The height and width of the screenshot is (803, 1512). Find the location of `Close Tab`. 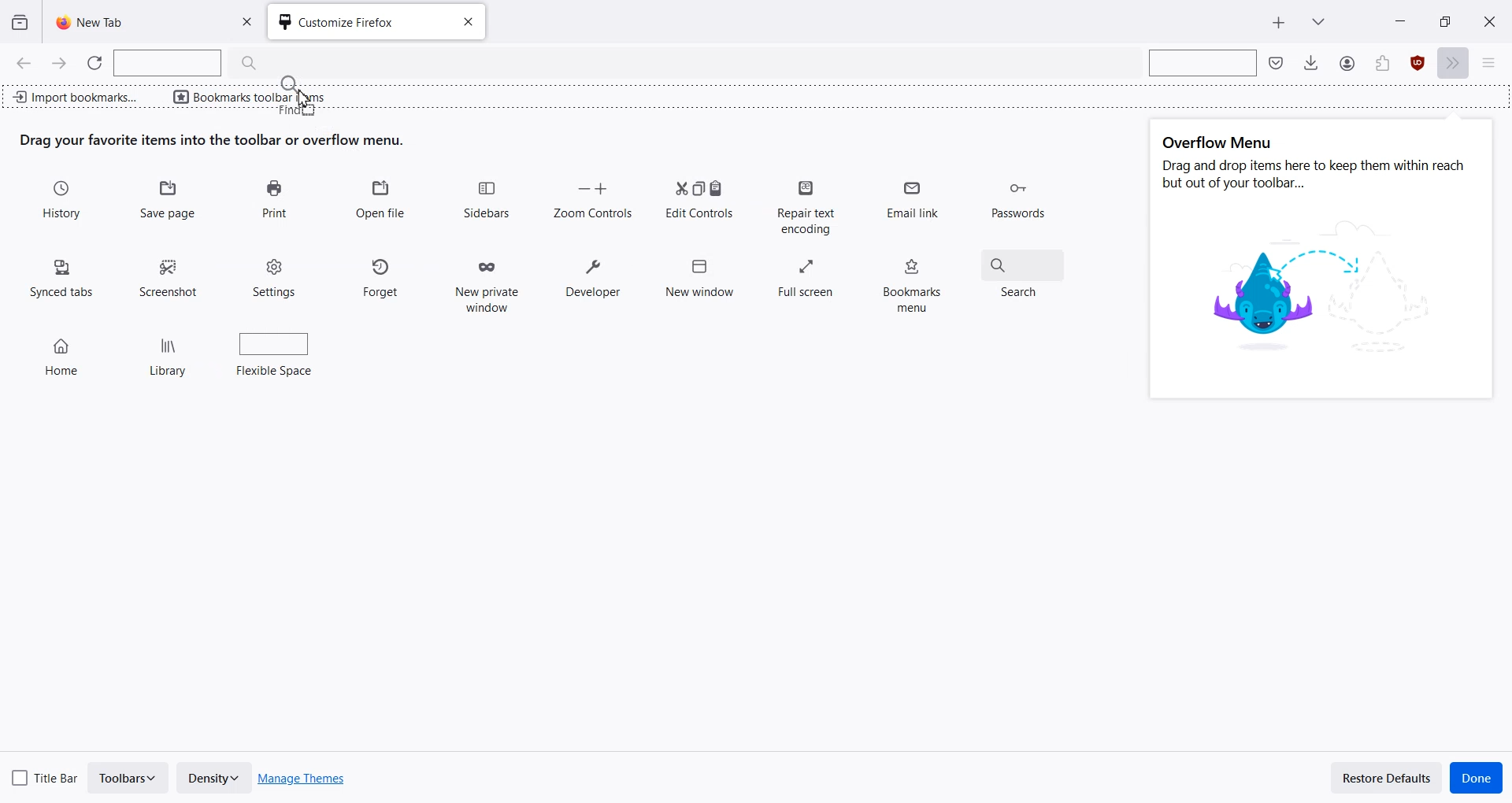

Close Tab is located at coordinates (251, 22).